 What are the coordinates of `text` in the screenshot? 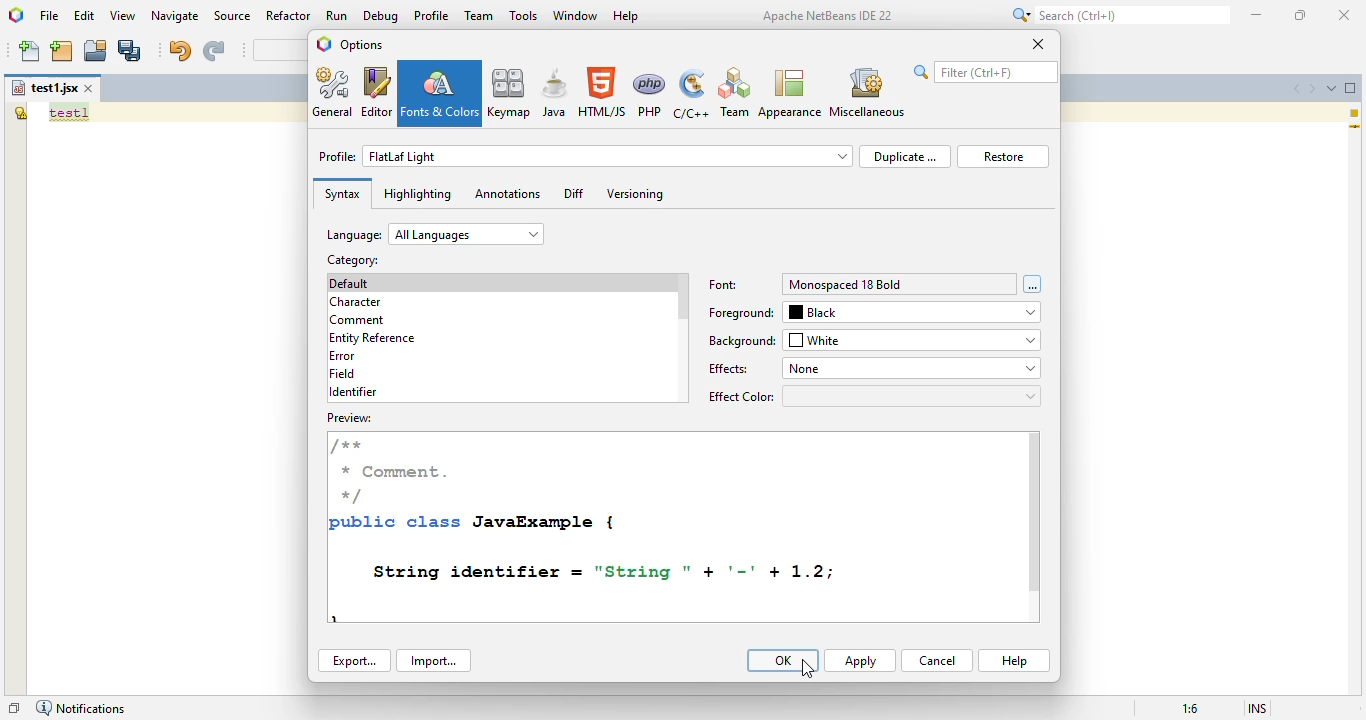 It's located at (69, 113).